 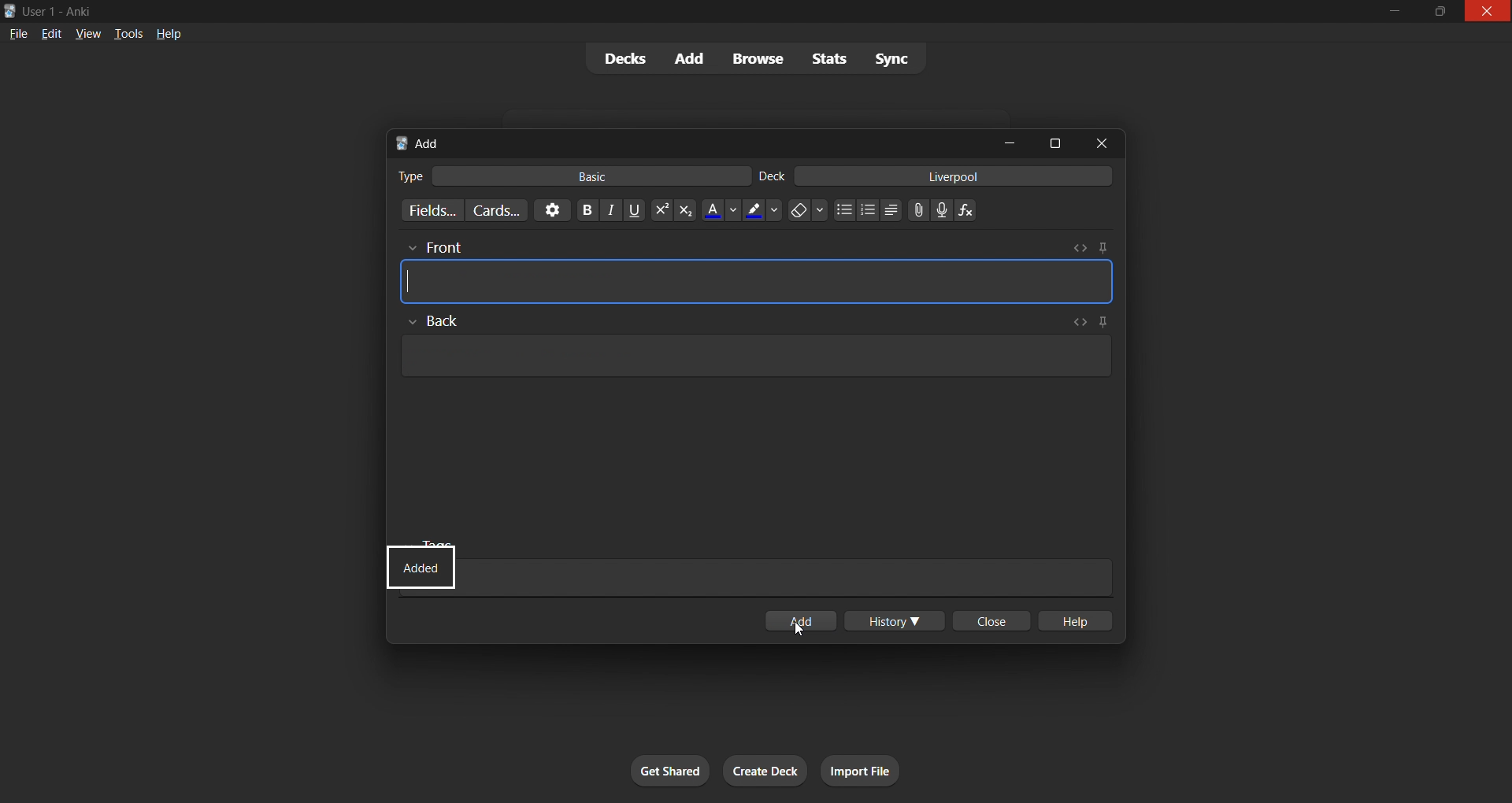 What do you see at coordinates (87, 35) in the screenshot?
I see `view` at bounding box center [87, 35].